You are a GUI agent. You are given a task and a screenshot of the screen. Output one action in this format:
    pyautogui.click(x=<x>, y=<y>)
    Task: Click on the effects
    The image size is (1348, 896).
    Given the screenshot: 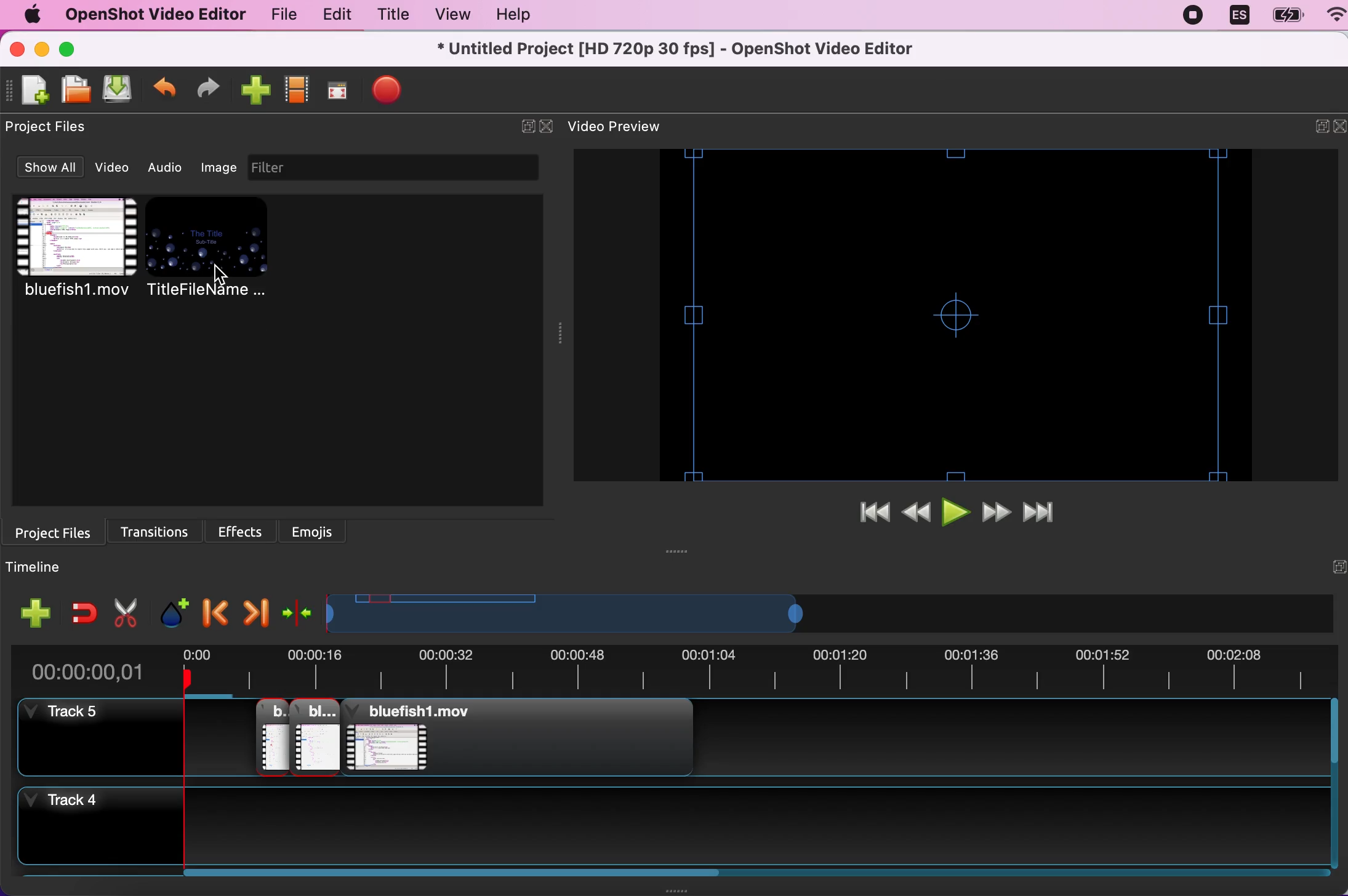 What is the action you would take?
    pyautogui.click(x=245, y=529)
    